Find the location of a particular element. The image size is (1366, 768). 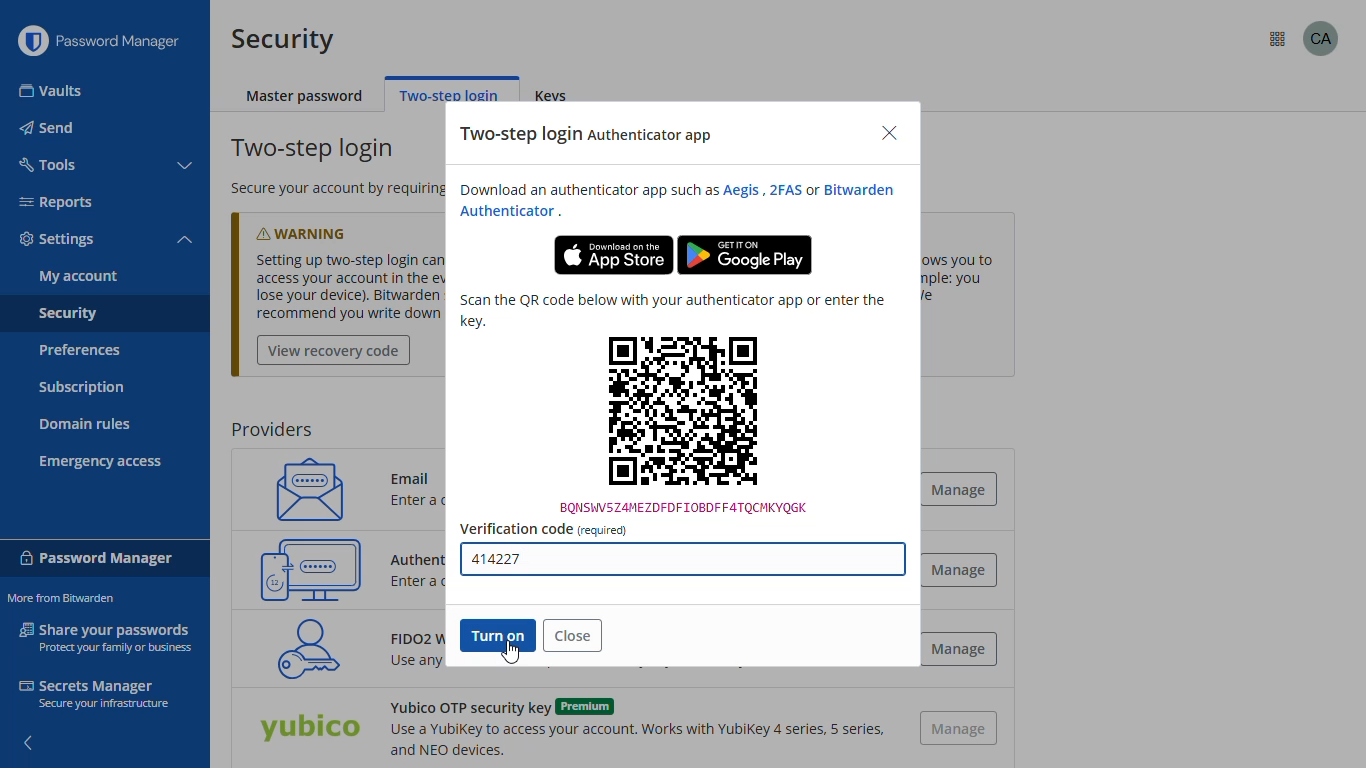

keys is located at coordinates (557, 97).